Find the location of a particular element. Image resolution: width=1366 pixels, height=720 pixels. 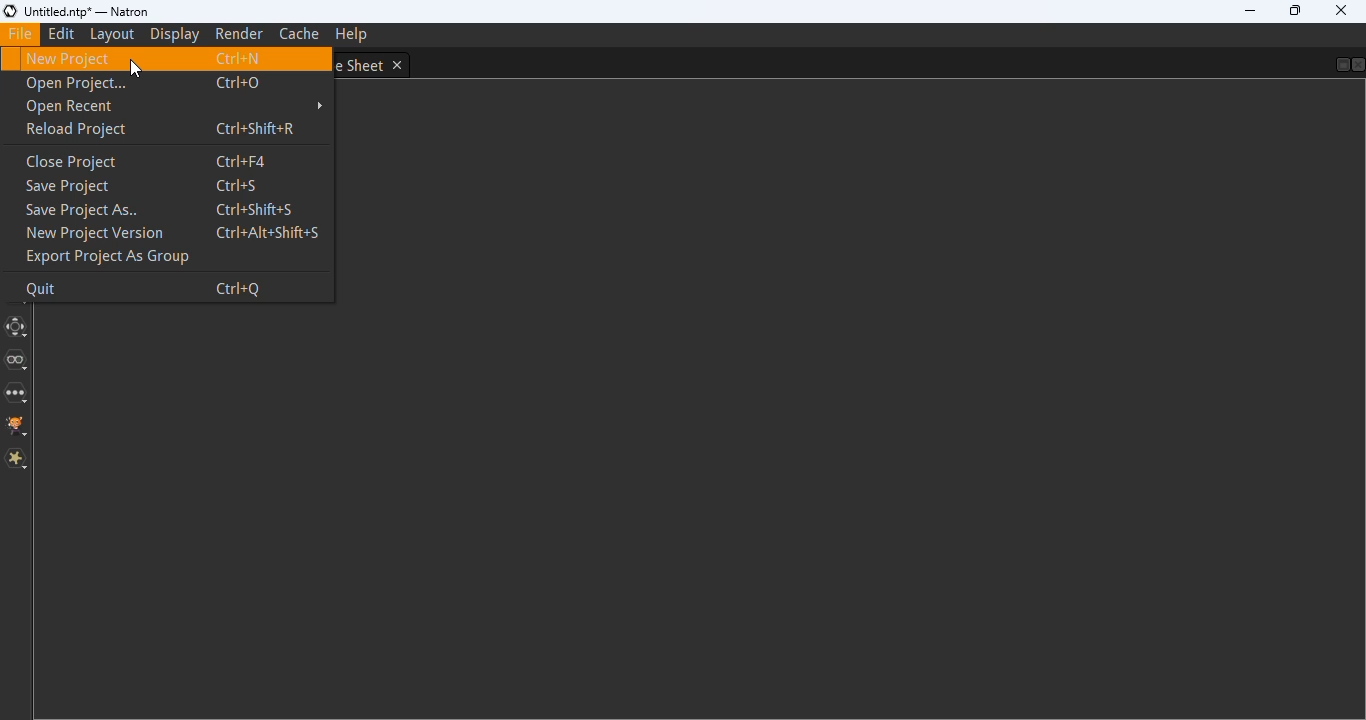

quit is located at coordinates (167, 290).